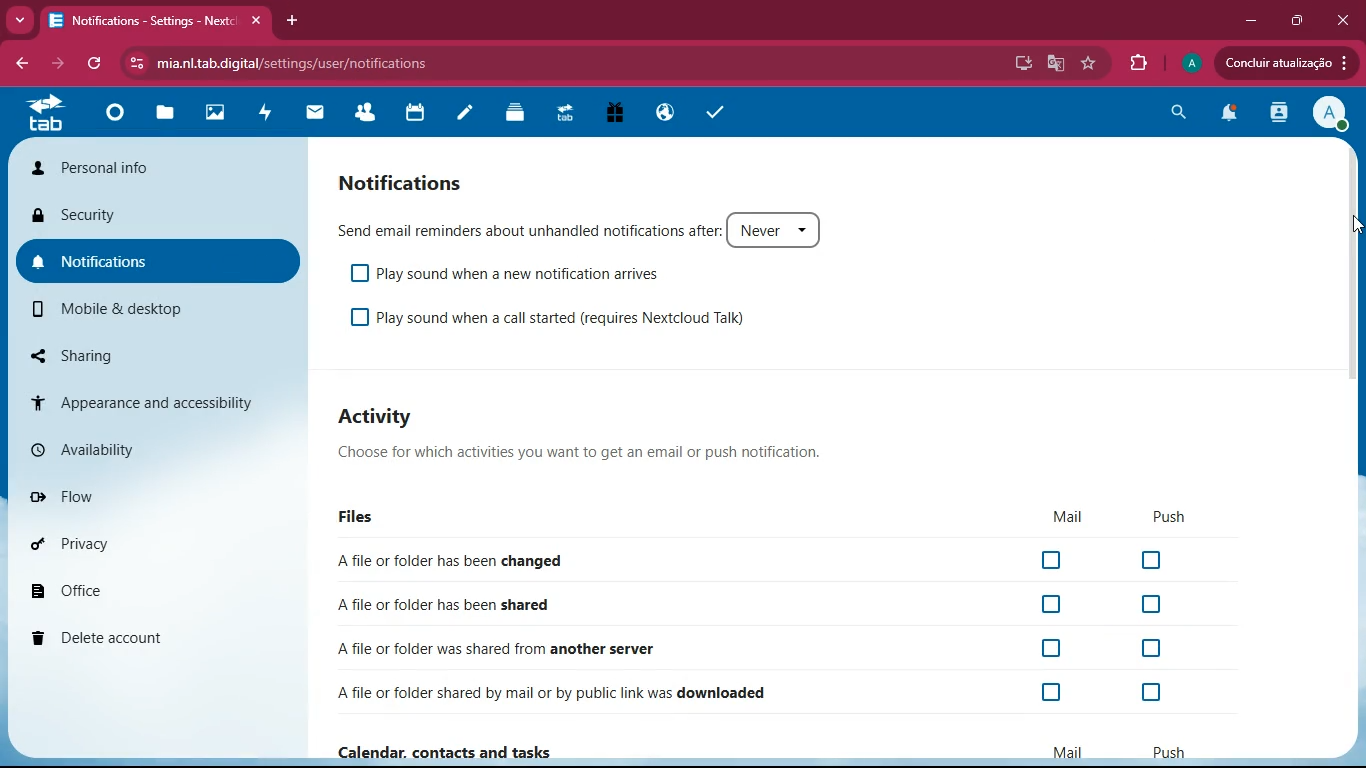 This screenshot has height=768, width=1366. What do you see at coordinates (1053, 65) in the screenshot?
I see `google translate` at bounding box center [1053, 65].